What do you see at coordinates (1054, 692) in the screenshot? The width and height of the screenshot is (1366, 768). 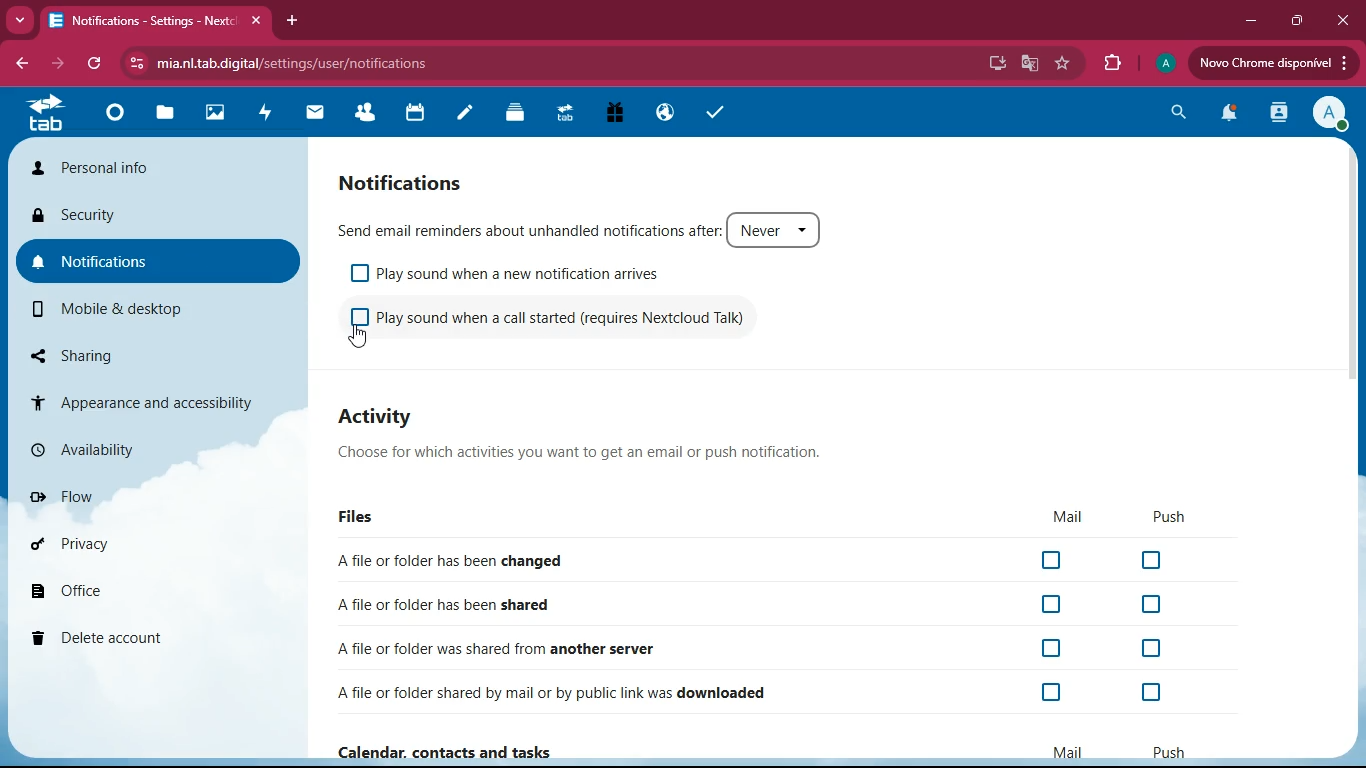 I see `off` at bounding box center [1054, 692].